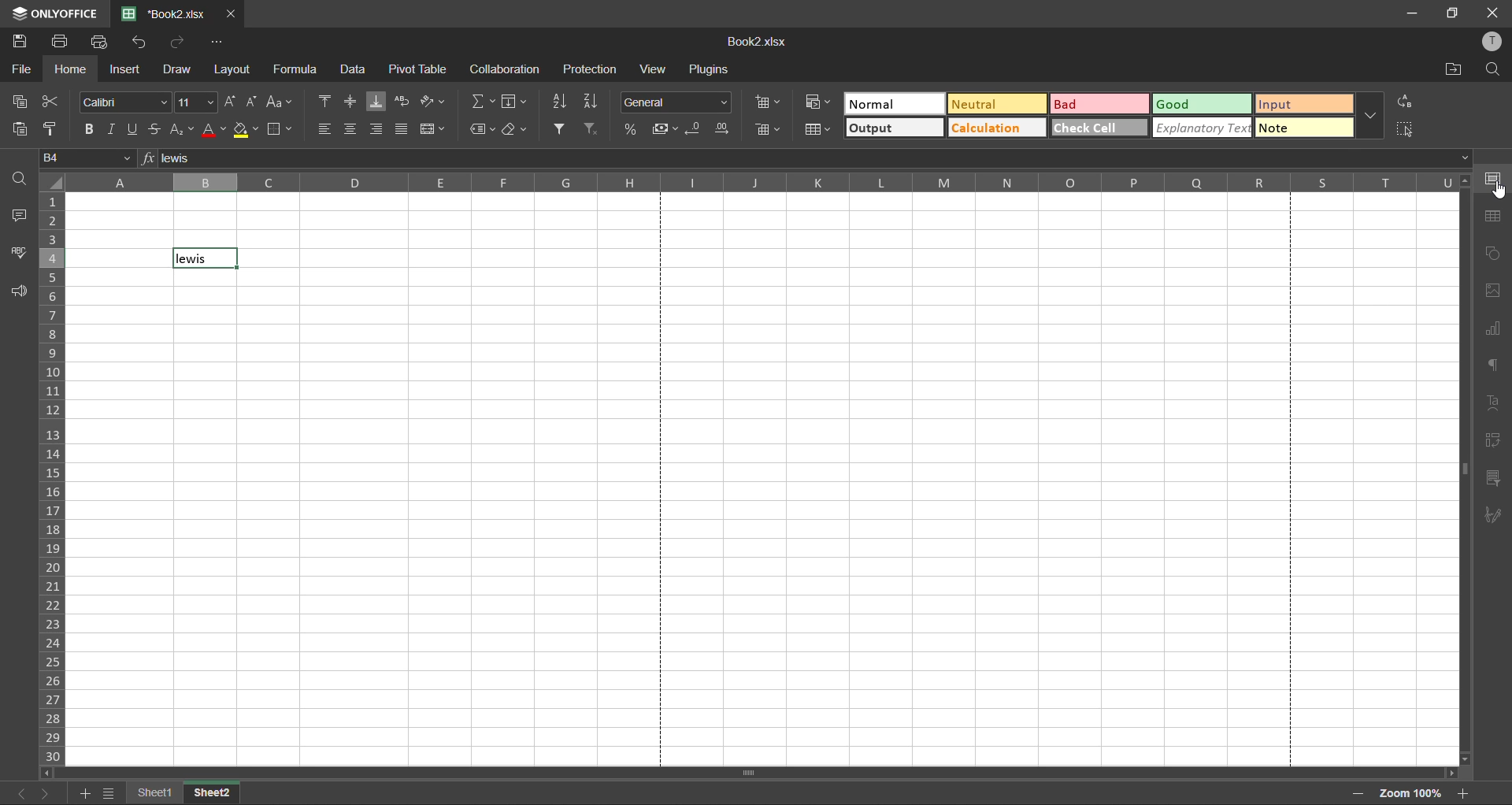 The width and height of the screenshot is (1512, 805). I want to click on cut, so click(53, 103).